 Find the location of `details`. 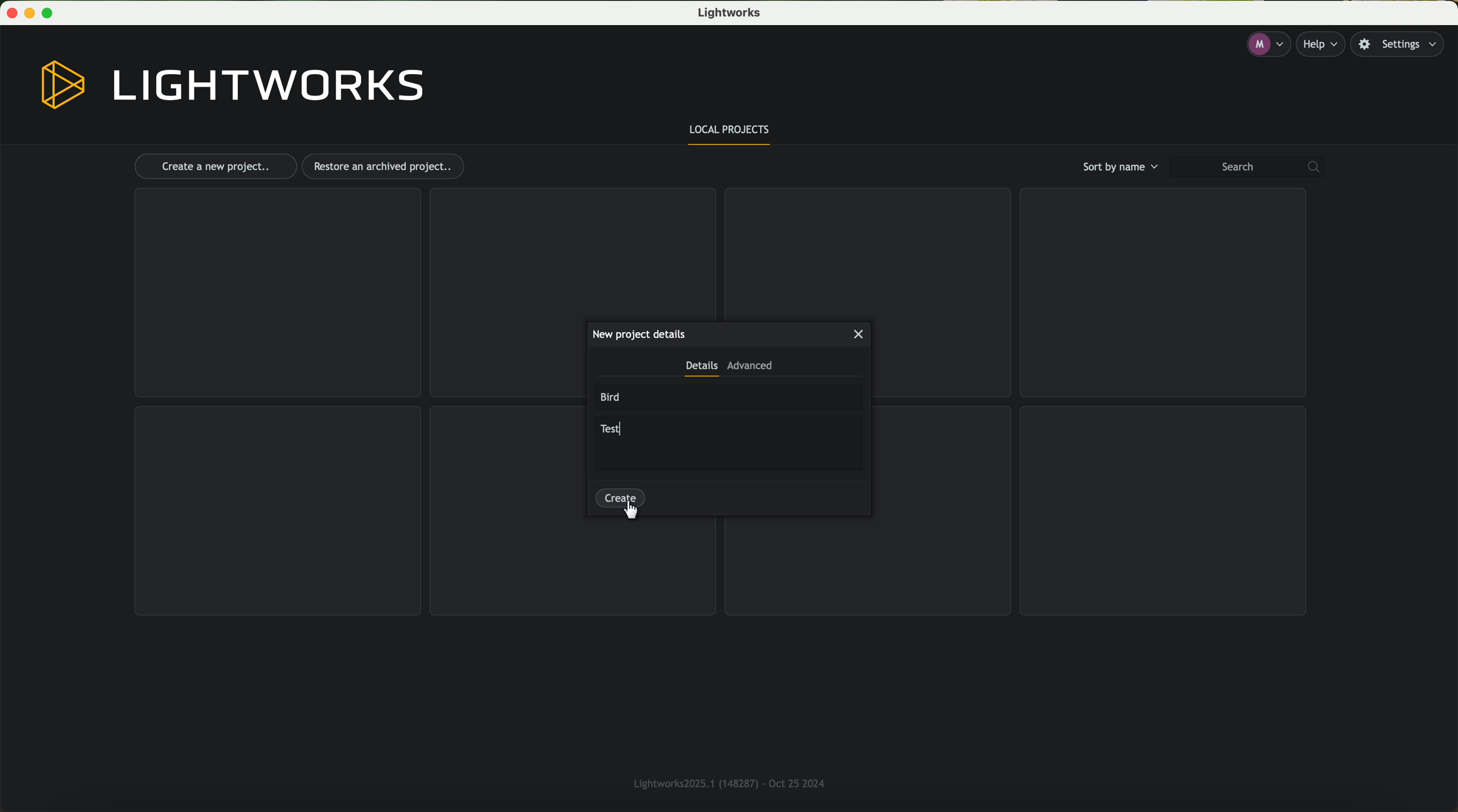

details is located at coordinates (701, 369).